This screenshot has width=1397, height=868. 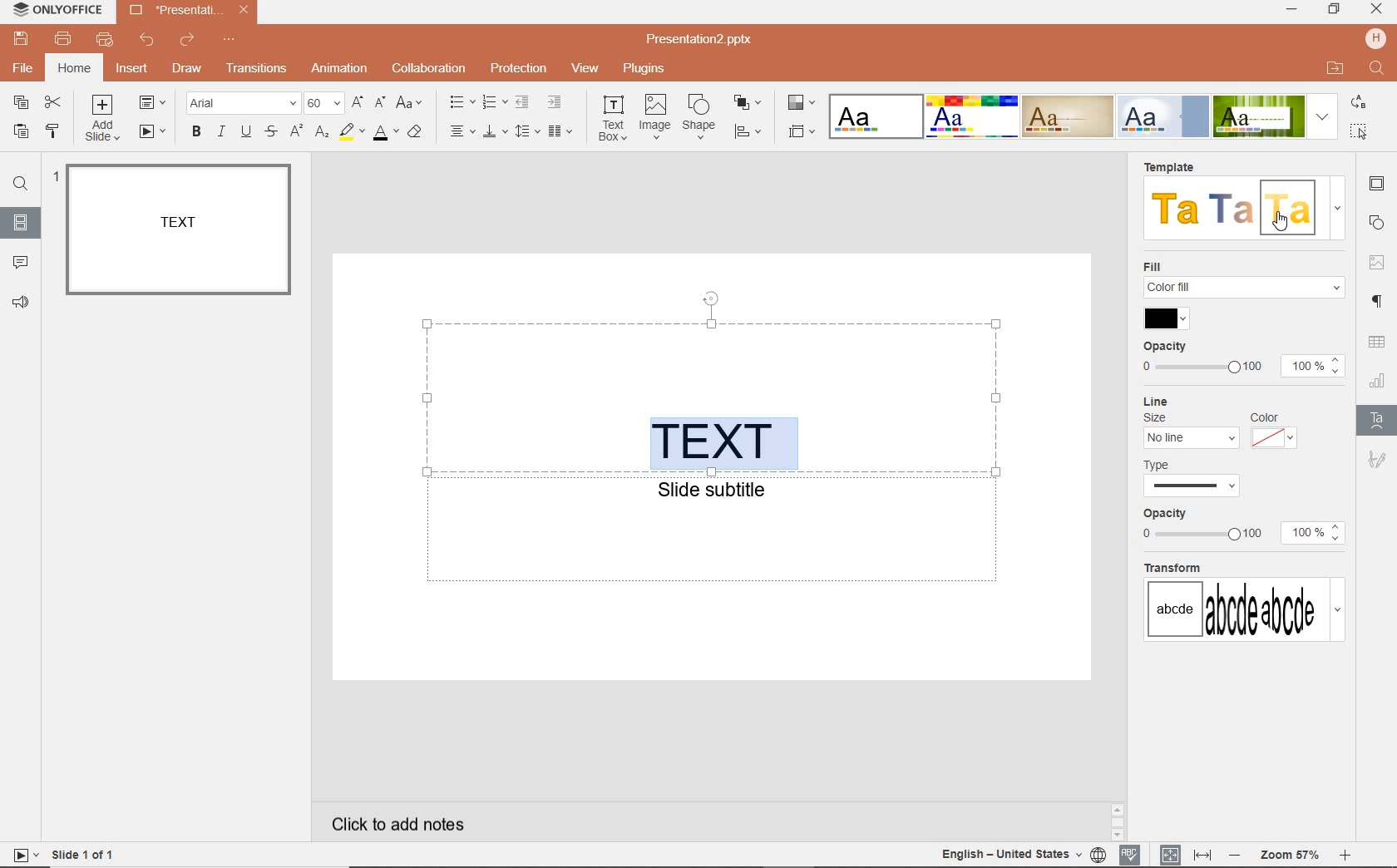 I want to click on PASTE, so click(x=17, y=132).